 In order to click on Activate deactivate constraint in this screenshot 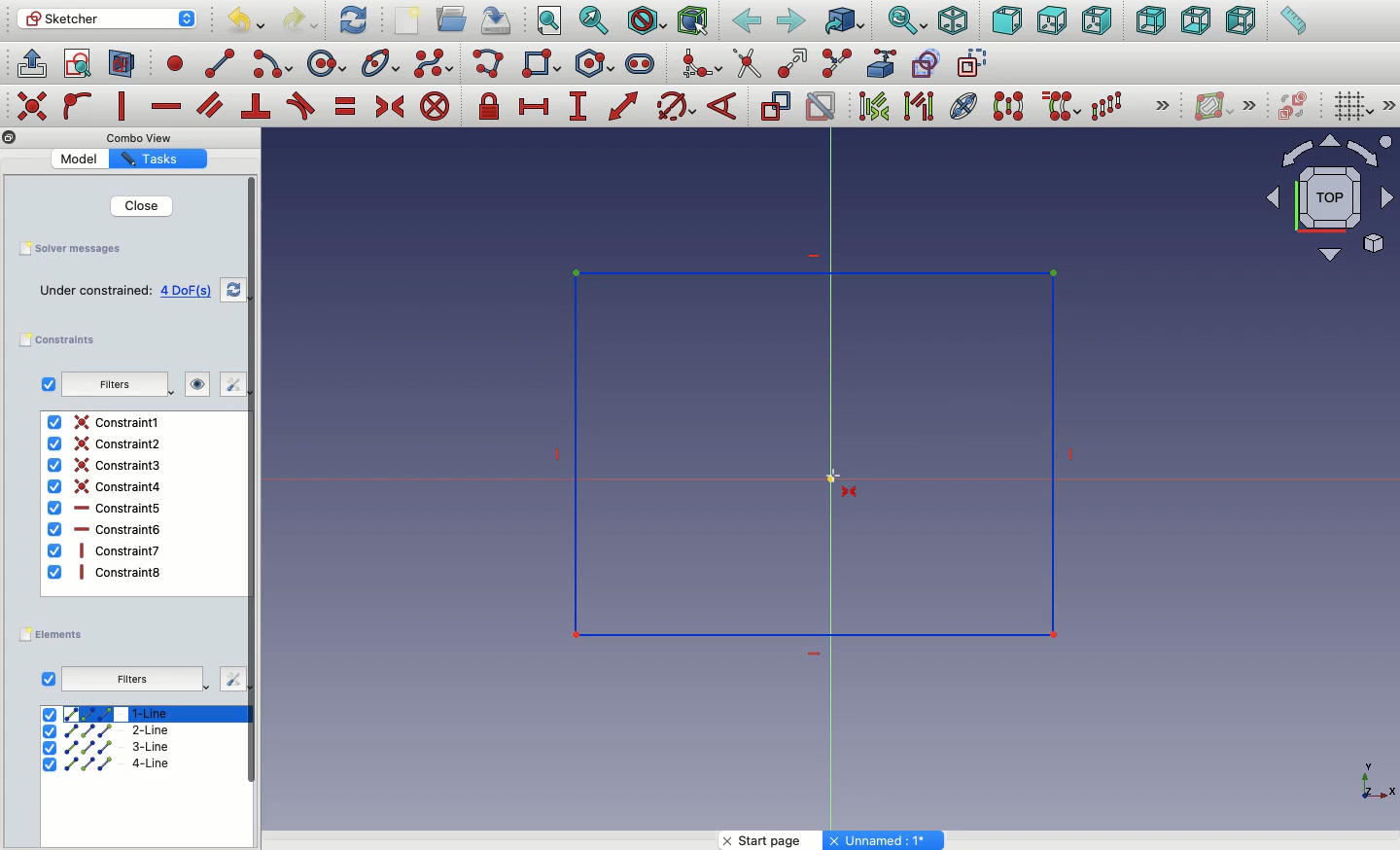, I will do `click(822, 108)`.